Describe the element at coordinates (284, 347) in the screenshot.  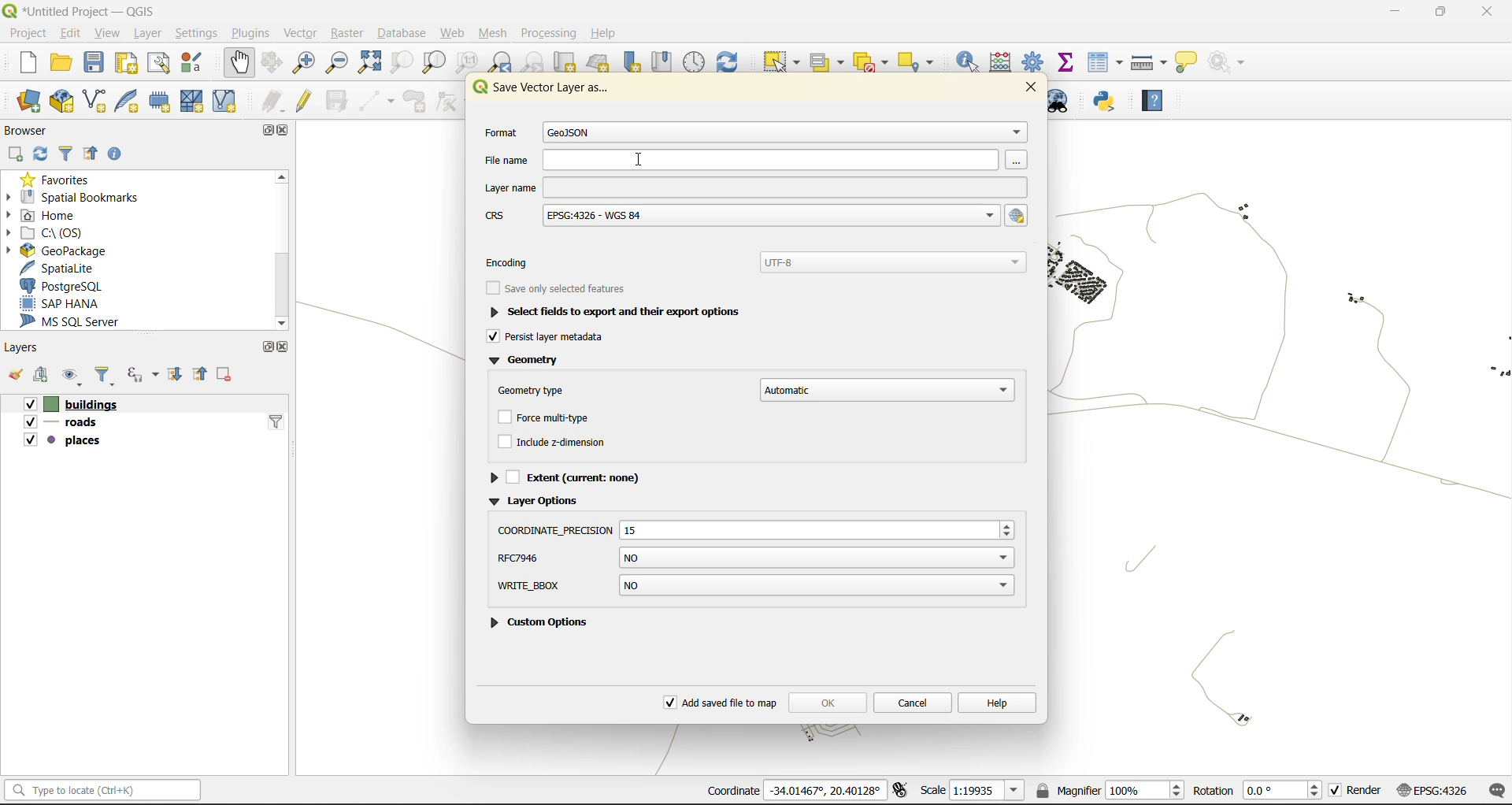
I see `close` at that location.